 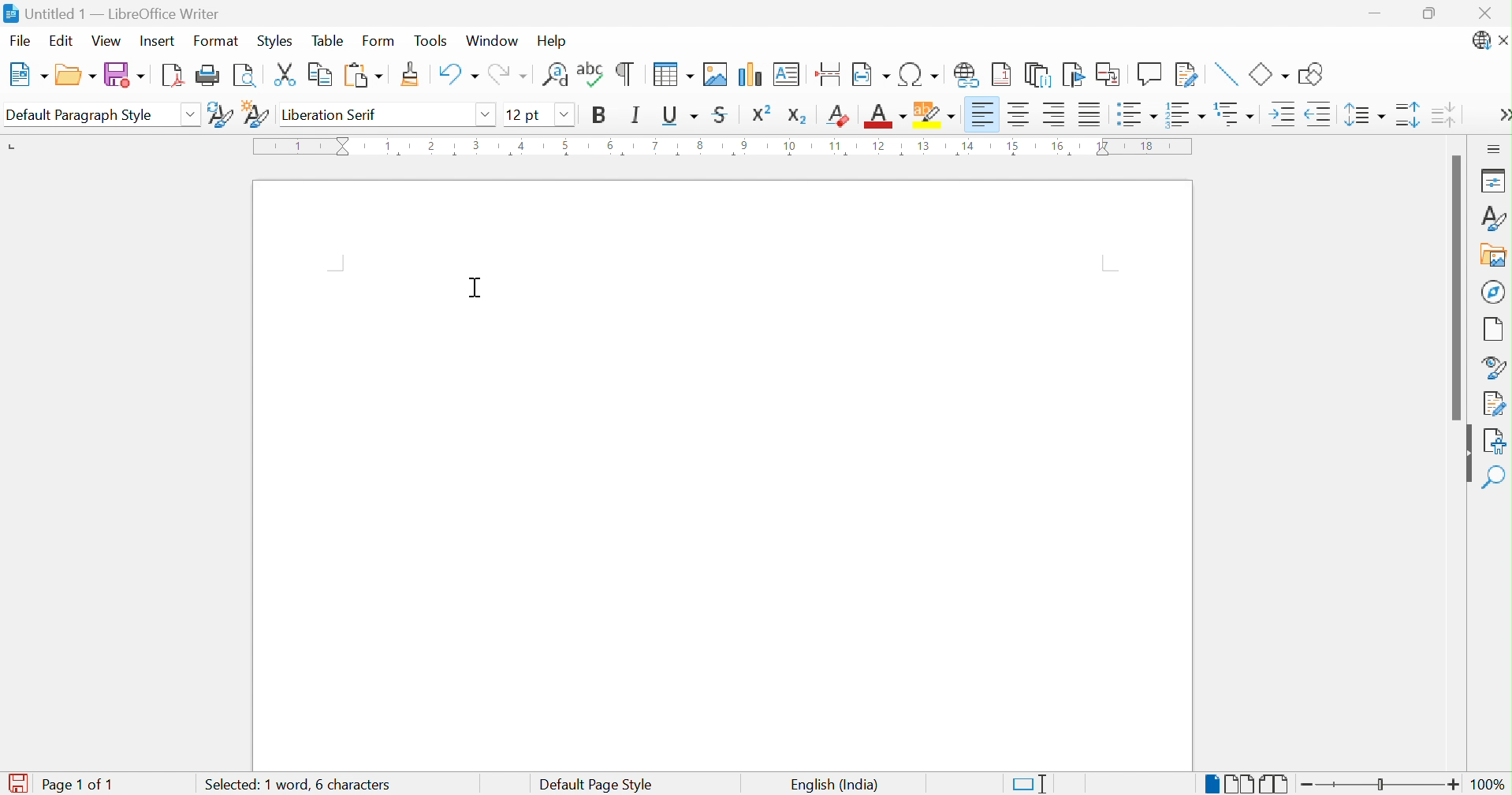 What do you see at coordinates (594, 785) in the screenshot?
I see `Default page style` at bounding box center [594, 785].